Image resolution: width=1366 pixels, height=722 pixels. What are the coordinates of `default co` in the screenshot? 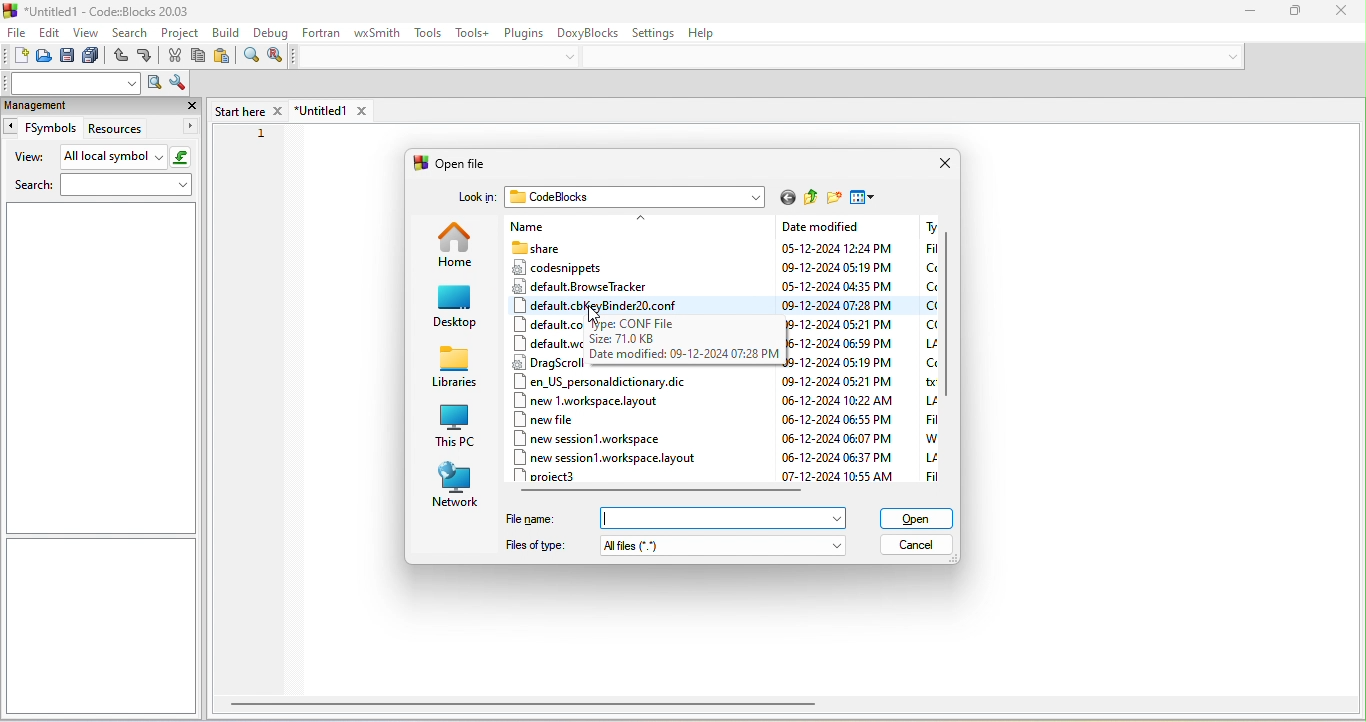 It's located at (596, 323).